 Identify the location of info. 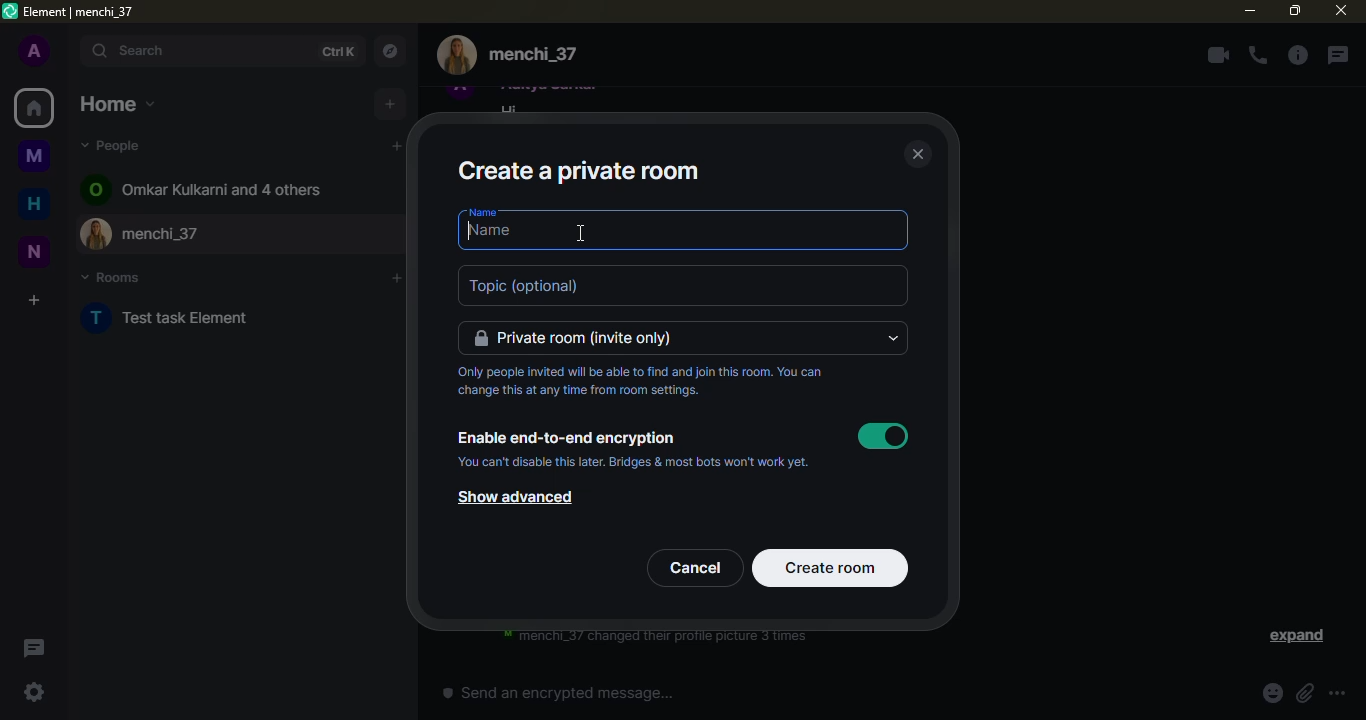
(1297, 55).